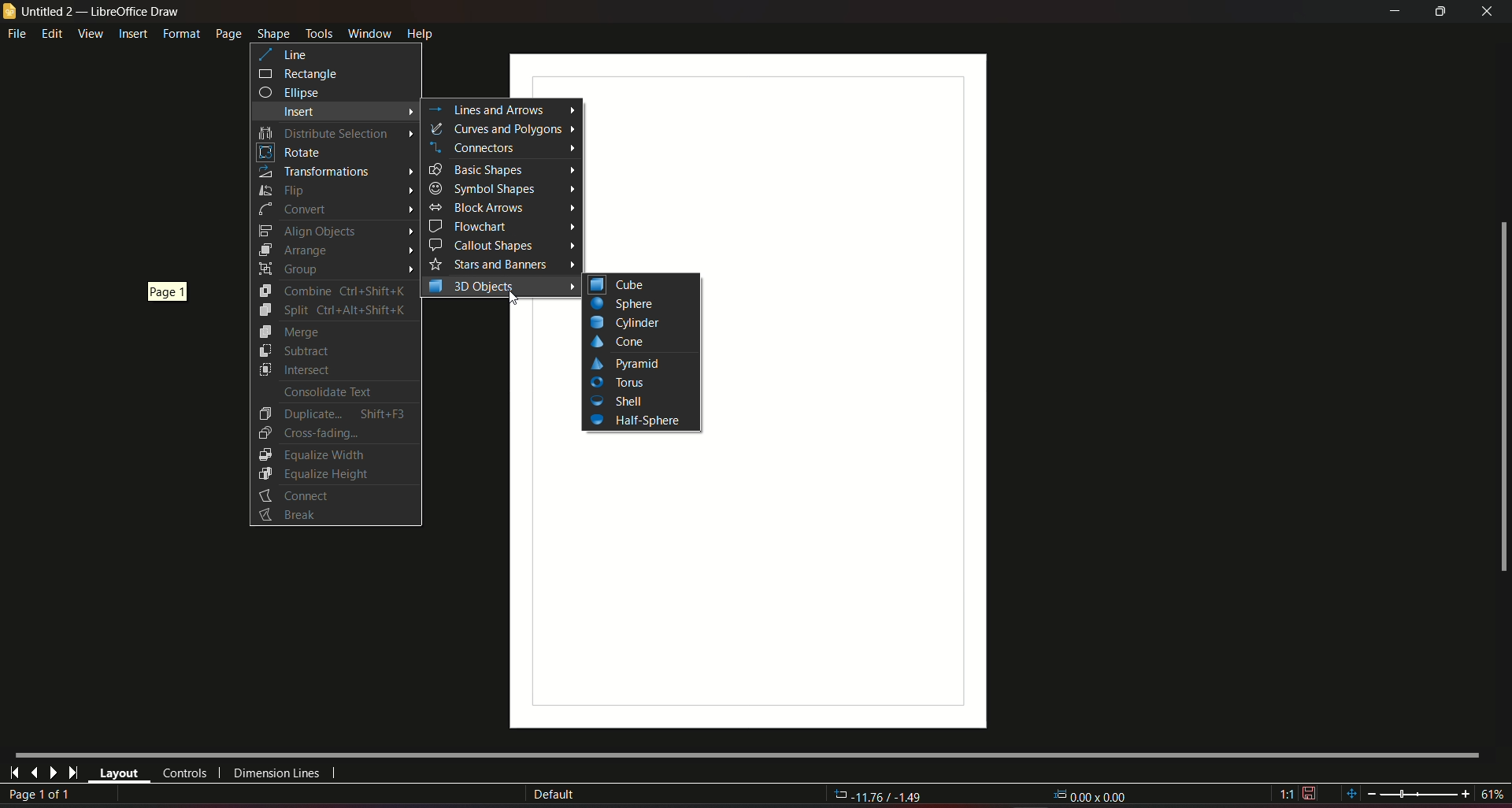 This screenshot has width=1512, height=808. What do you see at coordinates (570, 225) in the screenshot?
I see `Arrow` at bounding box center [570, 225].